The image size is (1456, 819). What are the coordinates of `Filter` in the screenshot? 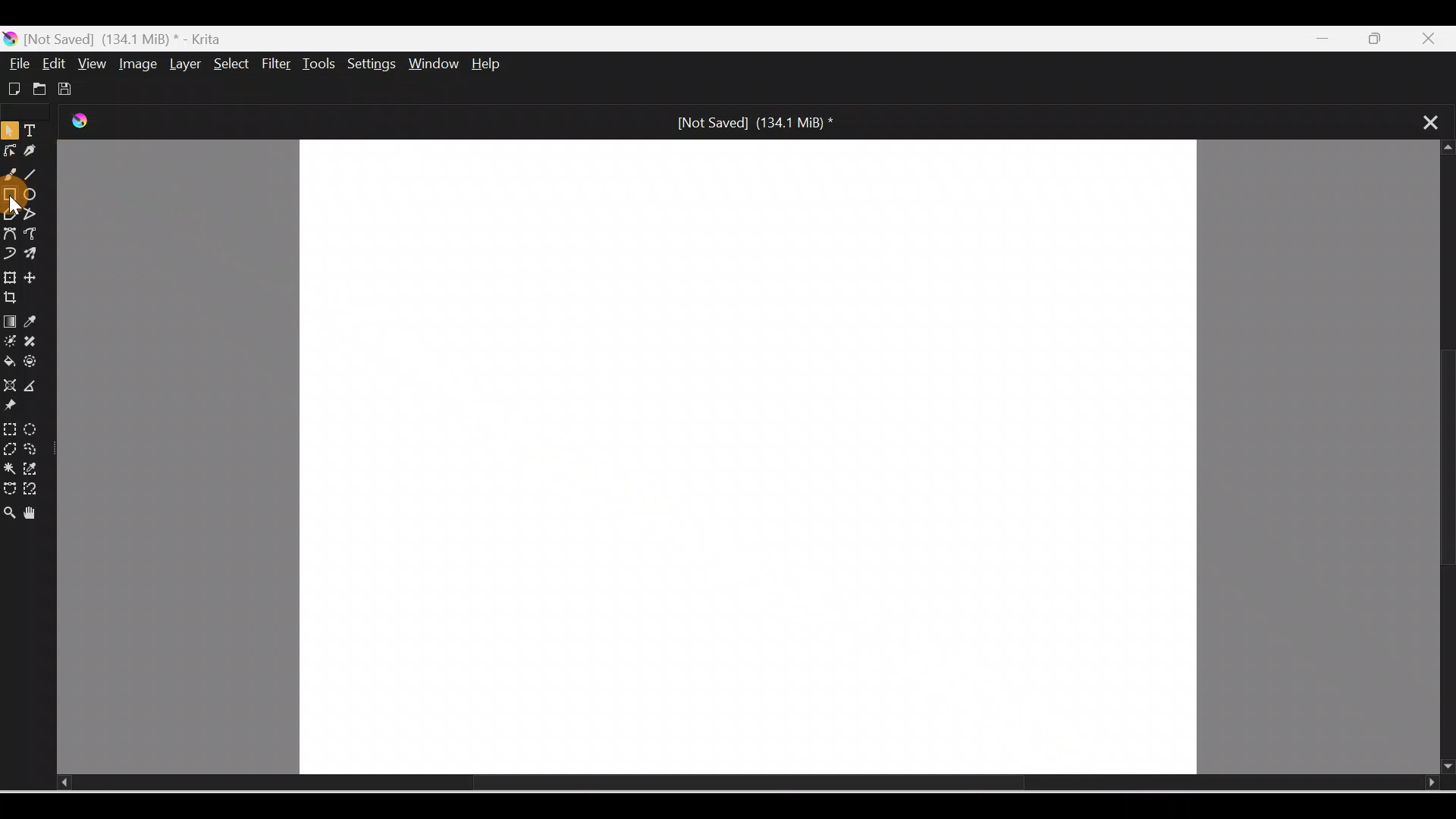 It's located at (277, 64).